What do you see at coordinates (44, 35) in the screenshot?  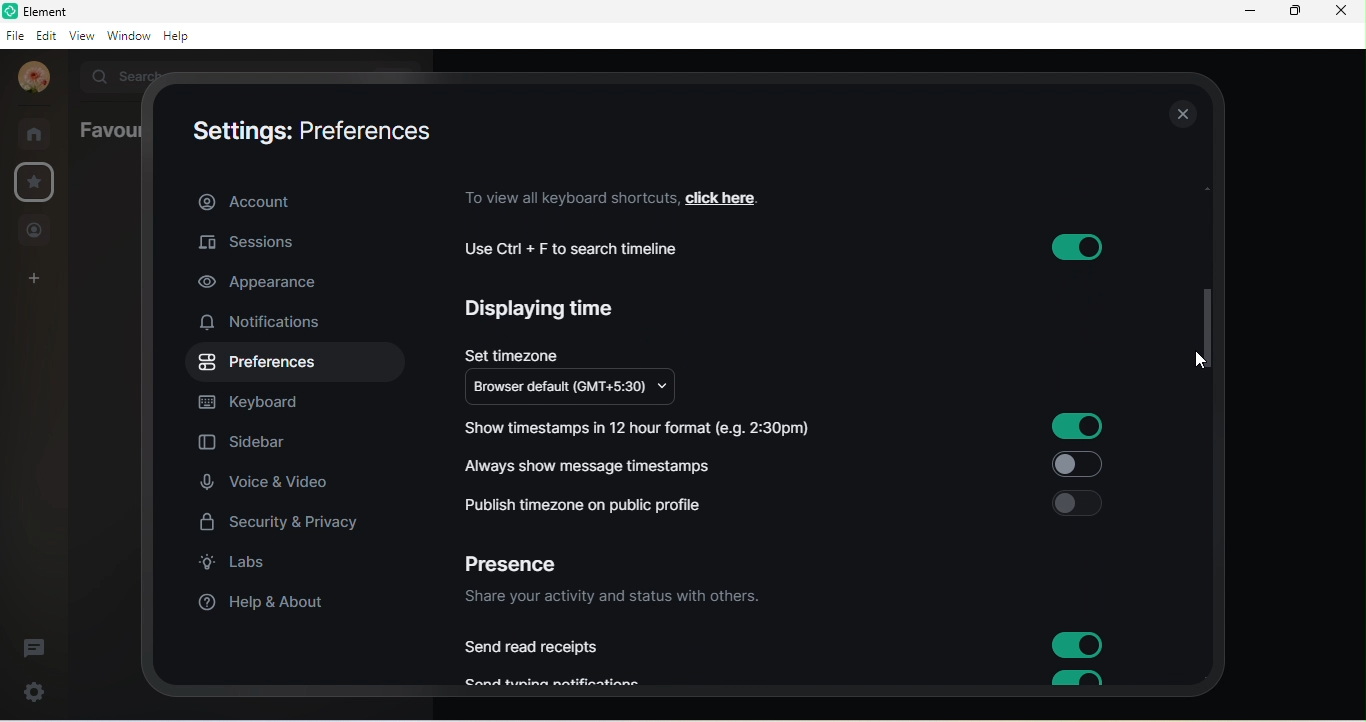 I see `edit` at bounding box center [44, 35].